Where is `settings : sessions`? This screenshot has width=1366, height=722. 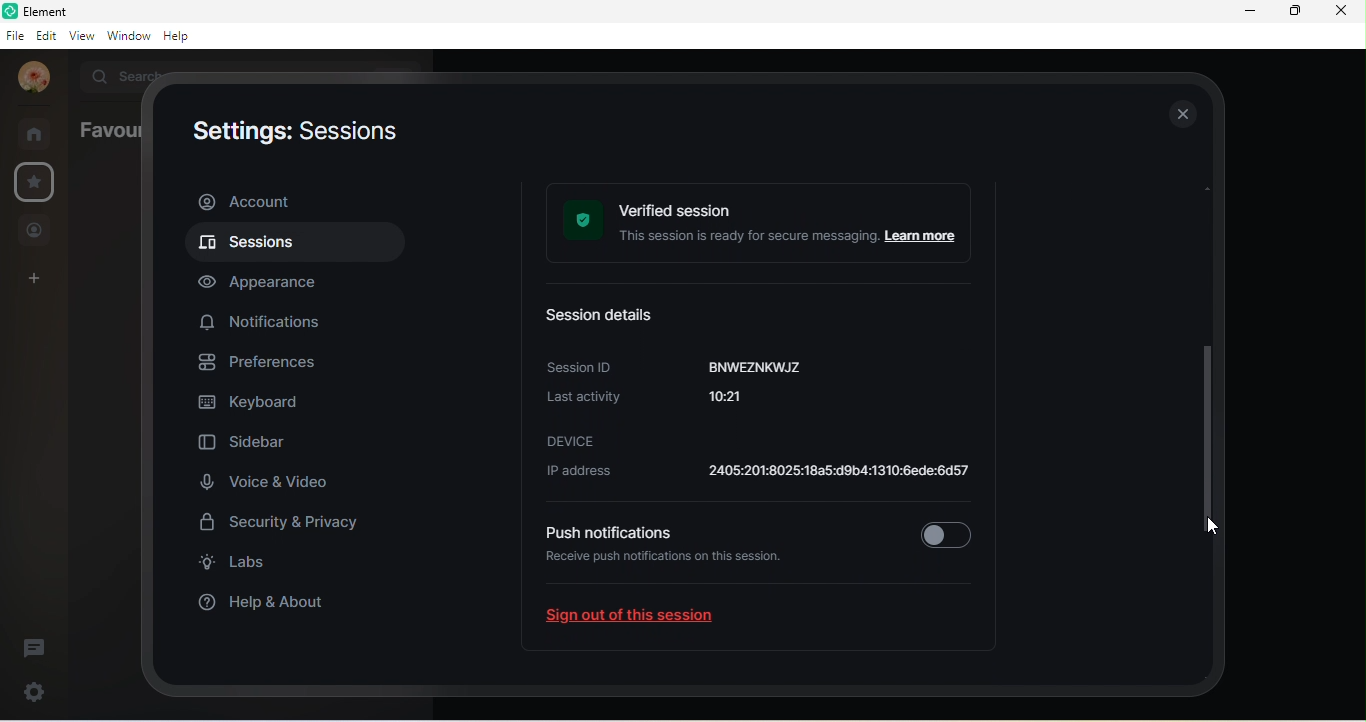 settings : sessions is located at coordinates (292, 134).